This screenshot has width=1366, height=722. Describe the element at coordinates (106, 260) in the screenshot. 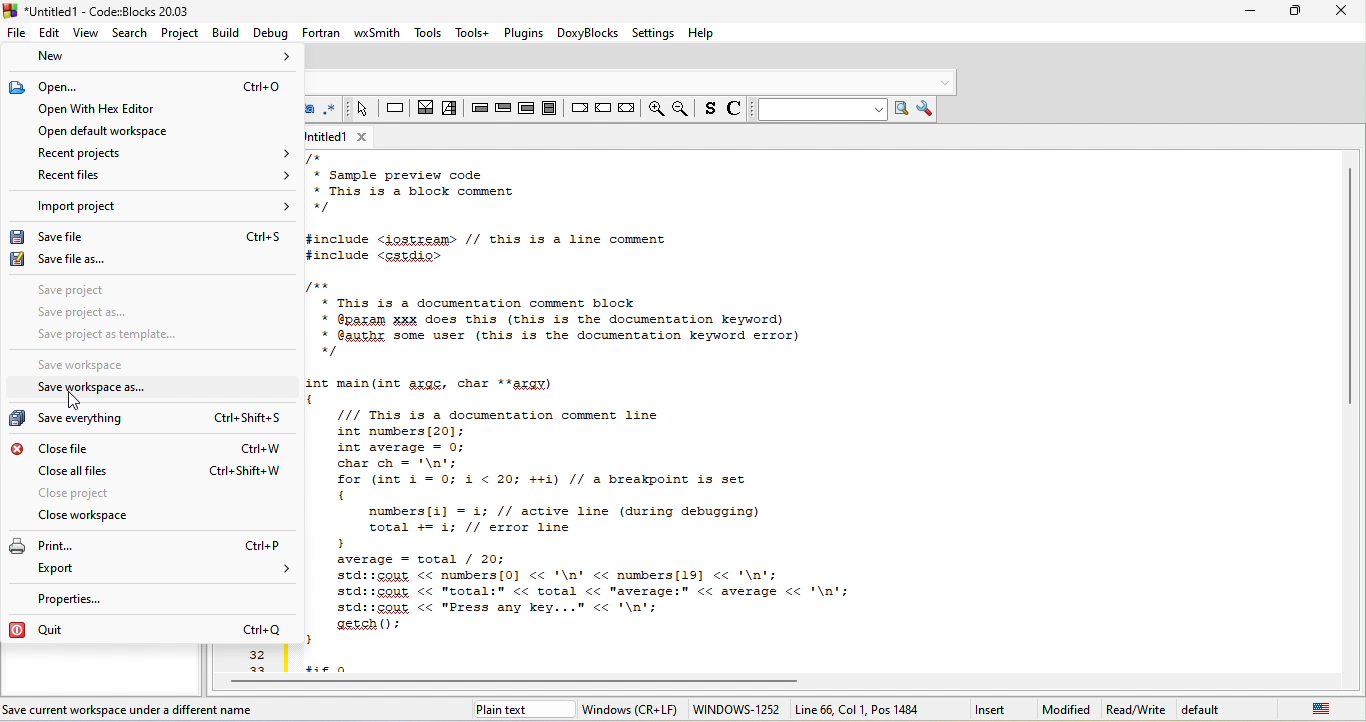

I see `save file as` at that location.